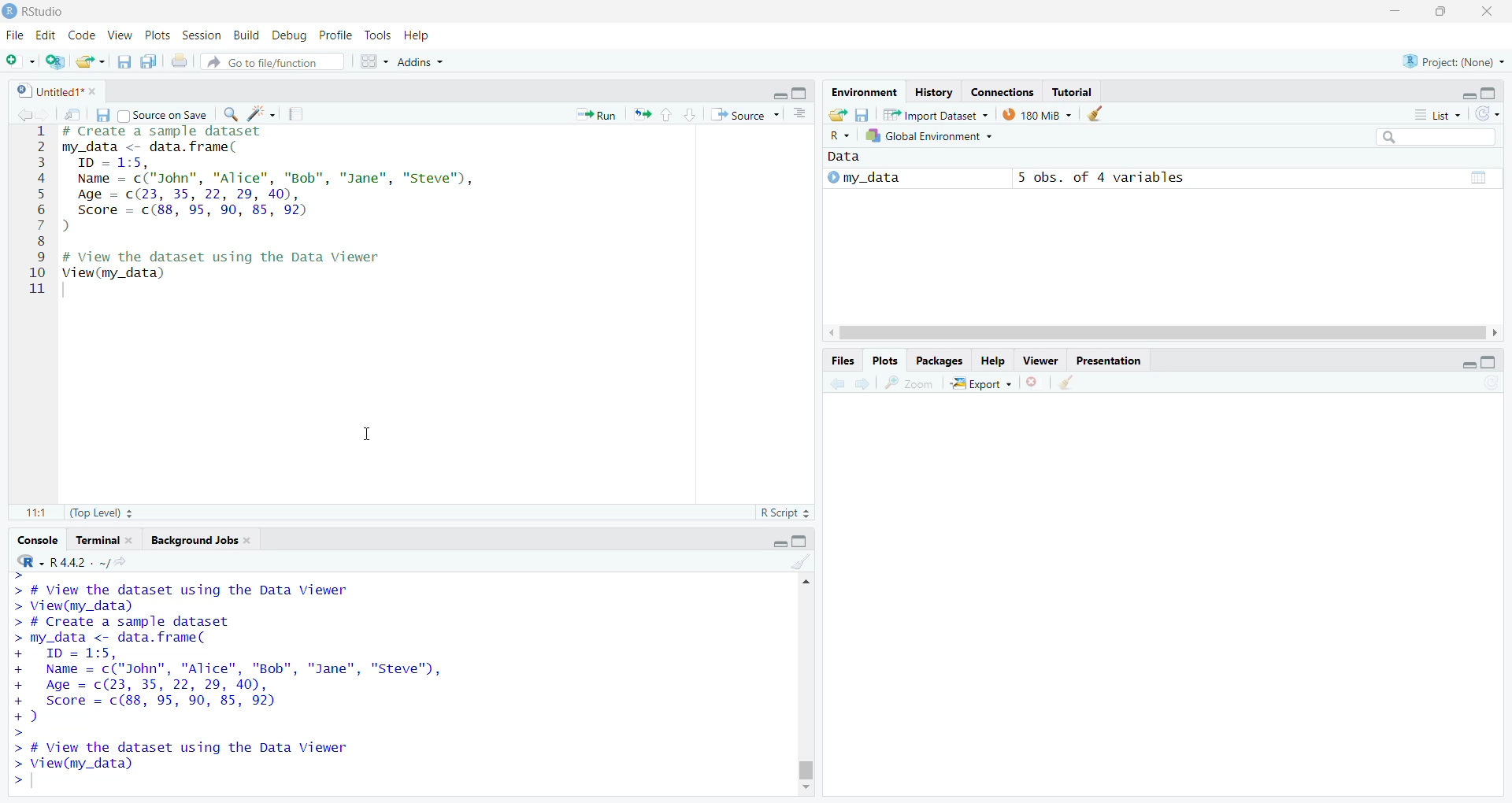  I want to click on Search, so click(1437, 136).